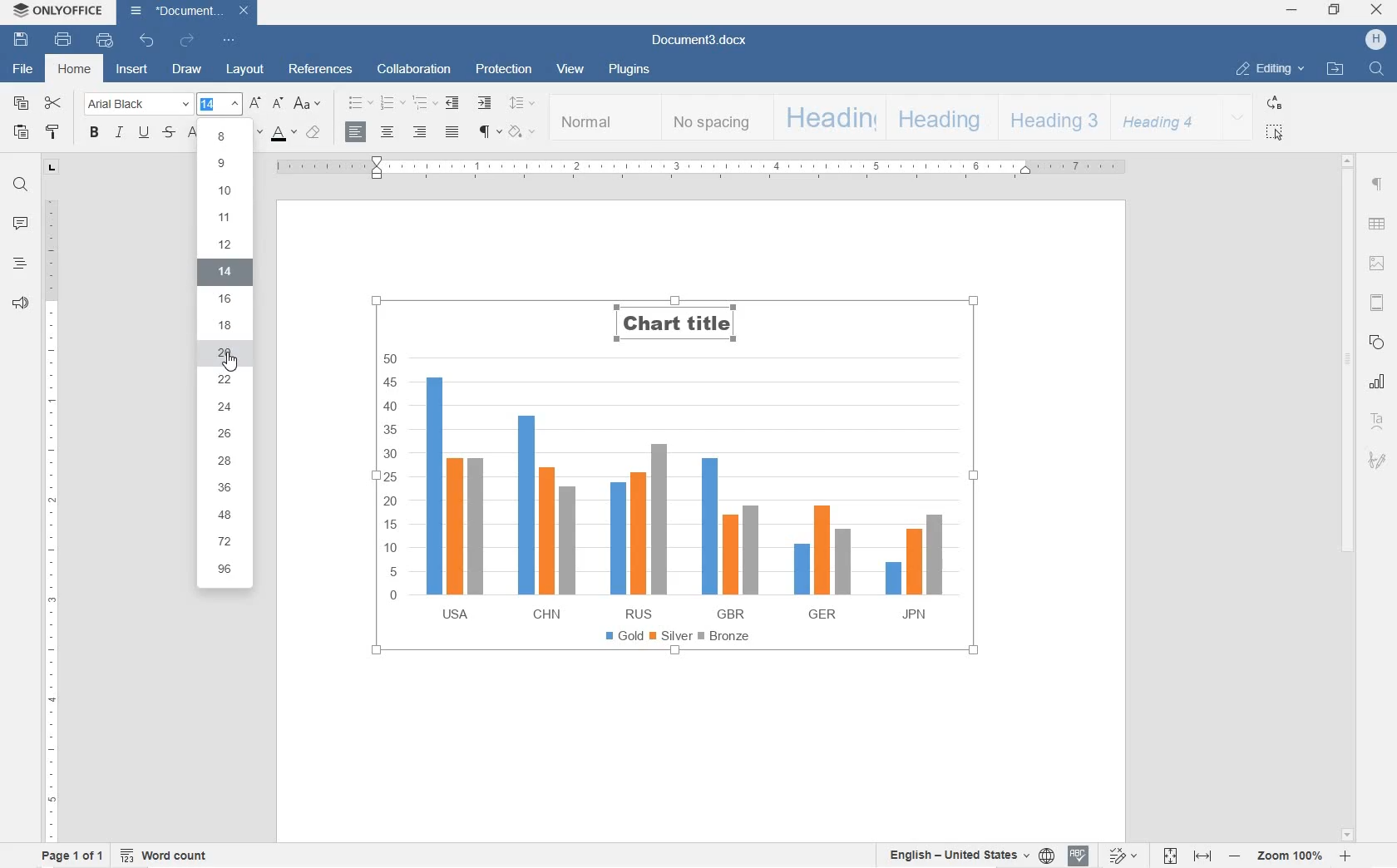 The width and height of the screenshot is (1397, 868). I want to click on MINIMIZE, so click(1293, 11).